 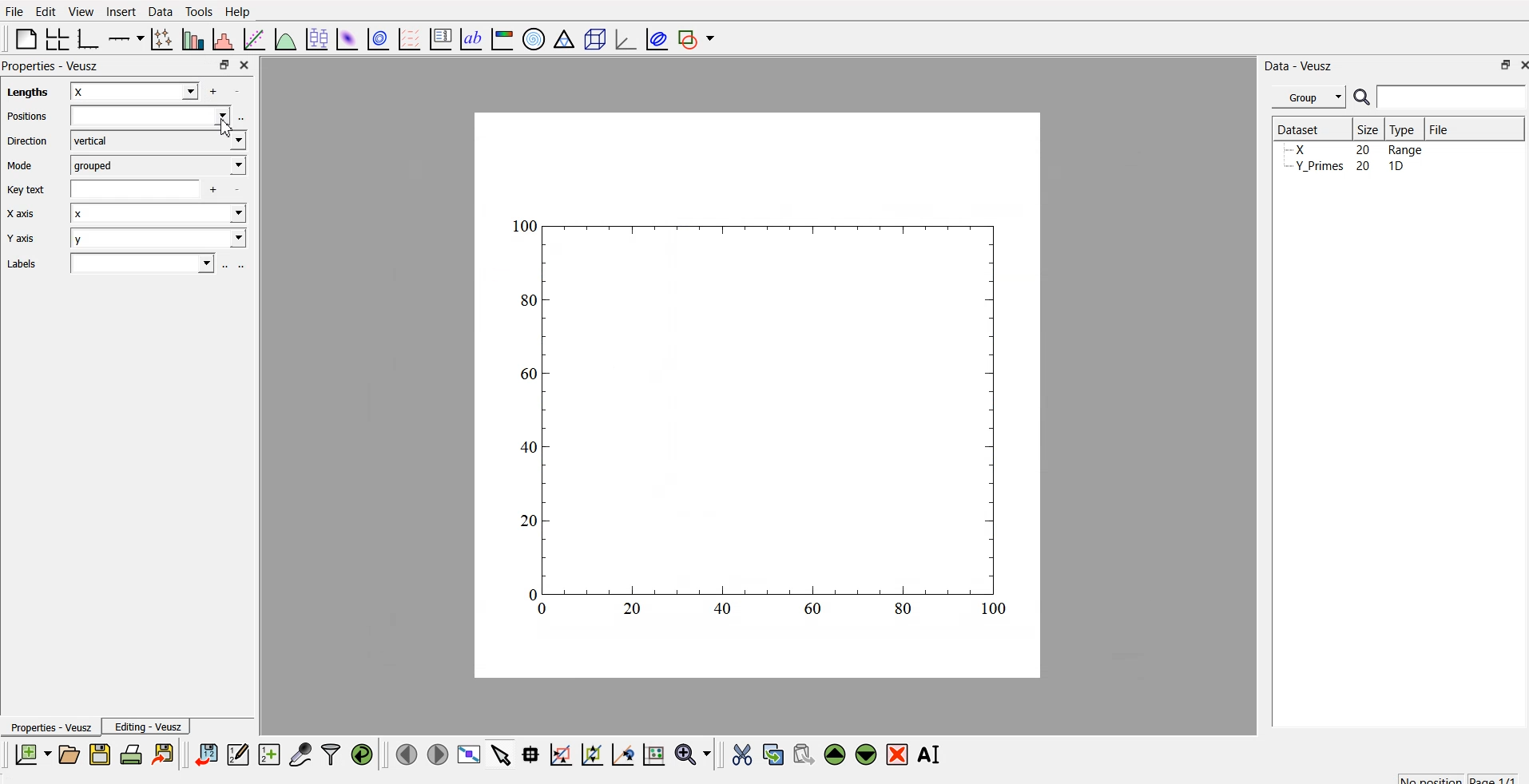 What do you see at coordinates (82, 11) in the screenshot?
I see `View` at bounding box center [82, 11].